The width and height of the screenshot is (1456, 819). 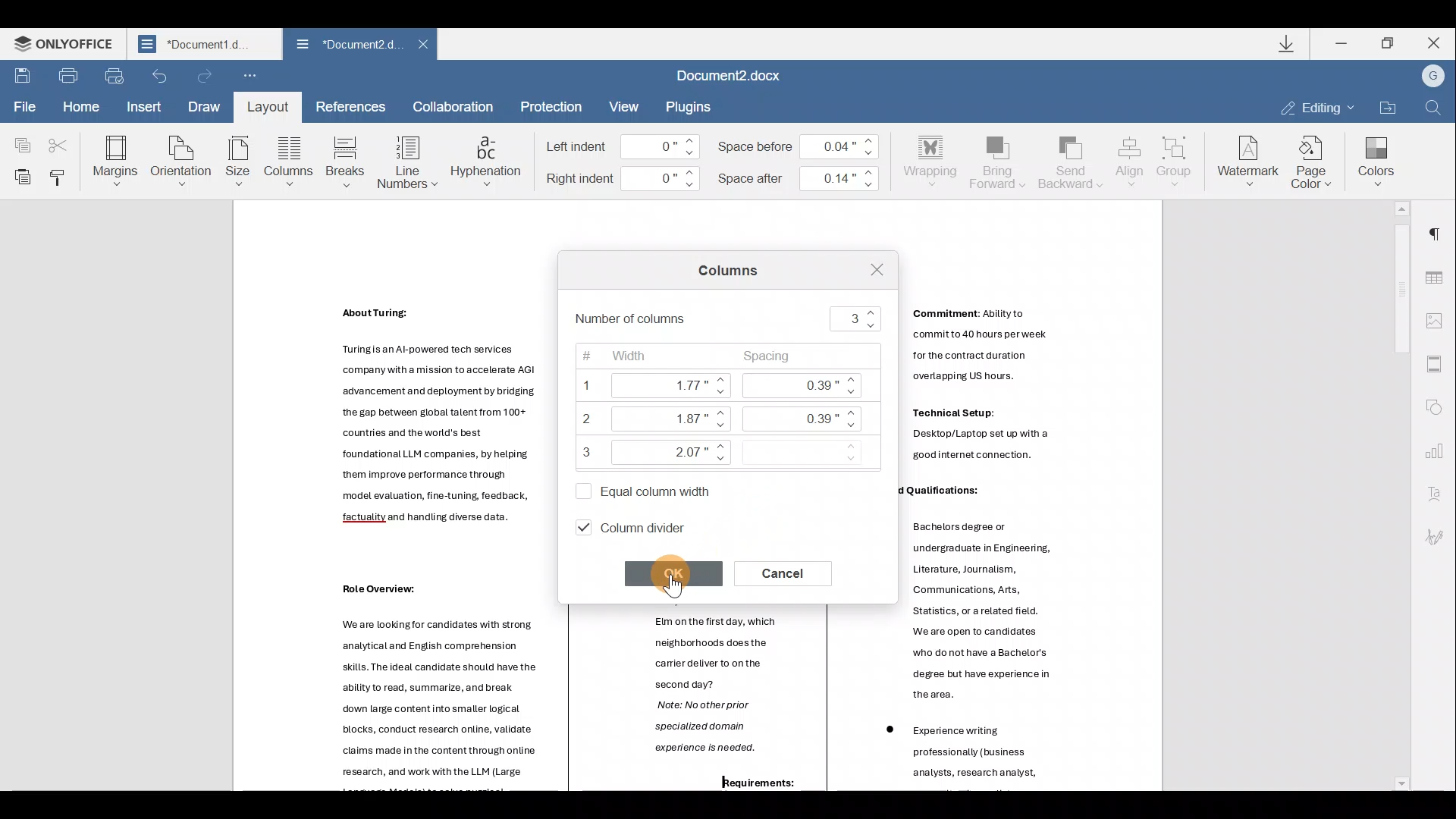 What do you see at coordinates (697, 106) in the screenshot?
I see `Plugin` at bounding box center [697, 106].